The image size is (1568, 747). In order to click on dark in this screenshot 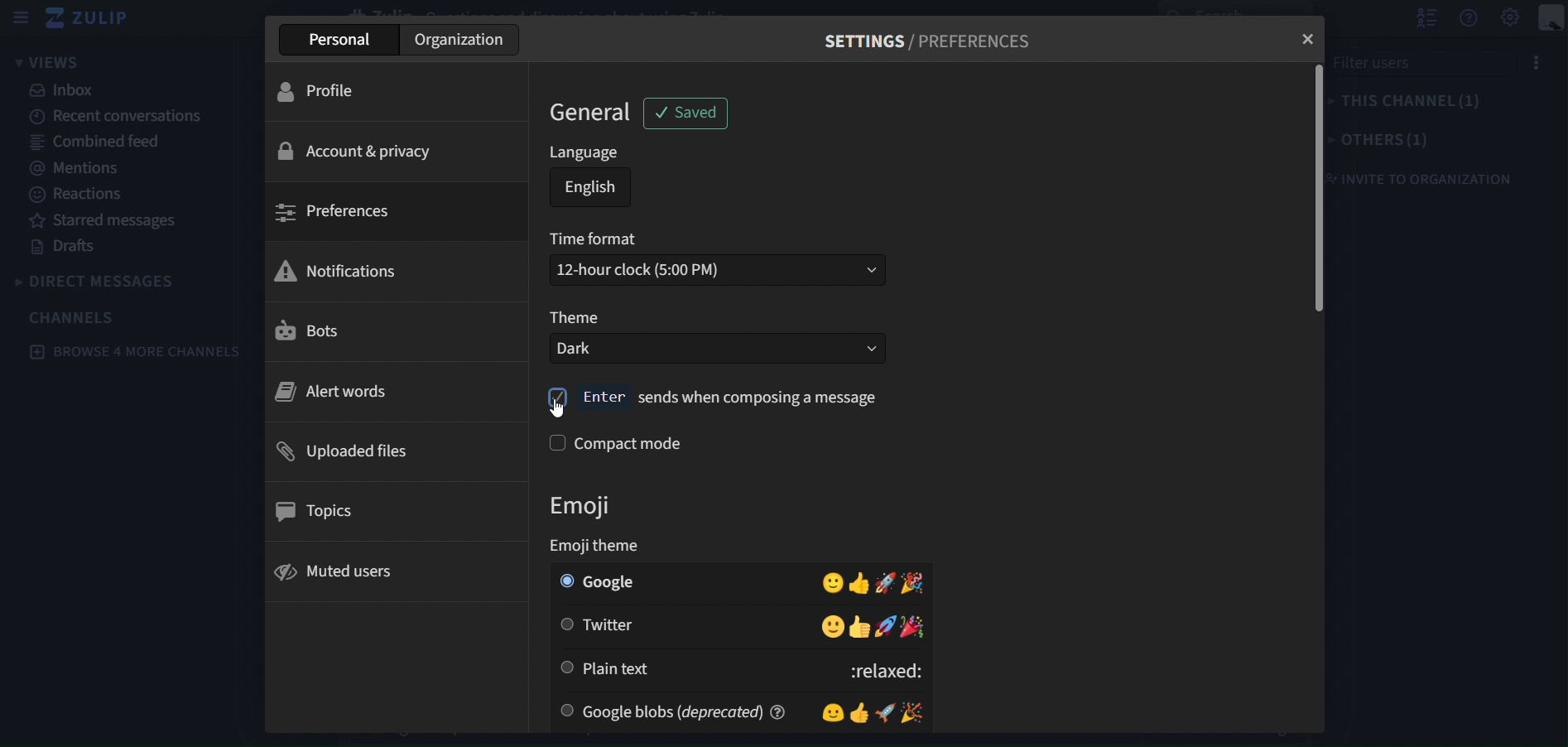, I will do `click(691, 349)`.